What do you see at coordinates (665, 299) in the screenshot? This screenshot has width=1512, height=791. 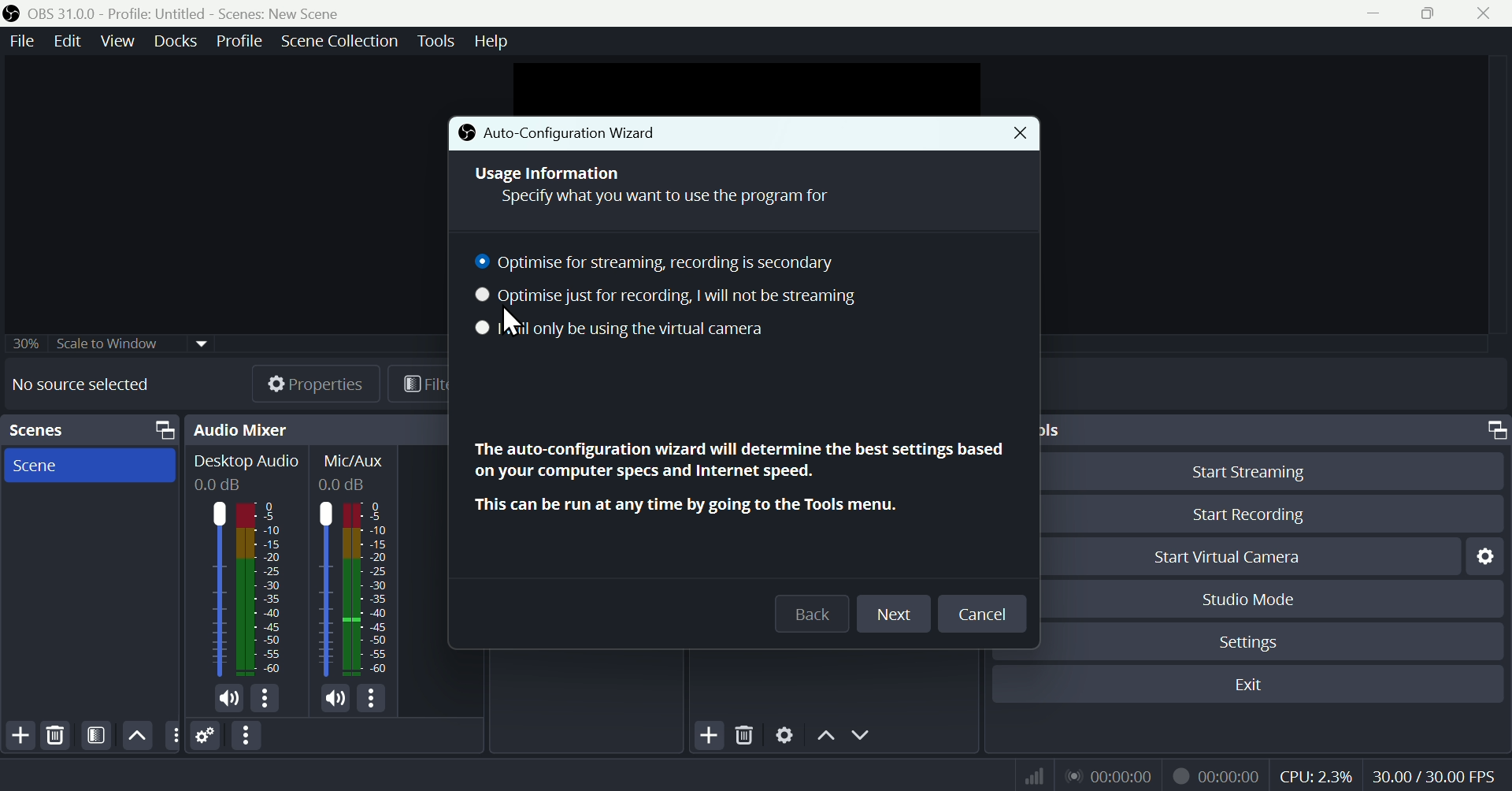 I see `@ Optimise just tor recoraing, | will not be streaming` at bounding box center [665, 299].